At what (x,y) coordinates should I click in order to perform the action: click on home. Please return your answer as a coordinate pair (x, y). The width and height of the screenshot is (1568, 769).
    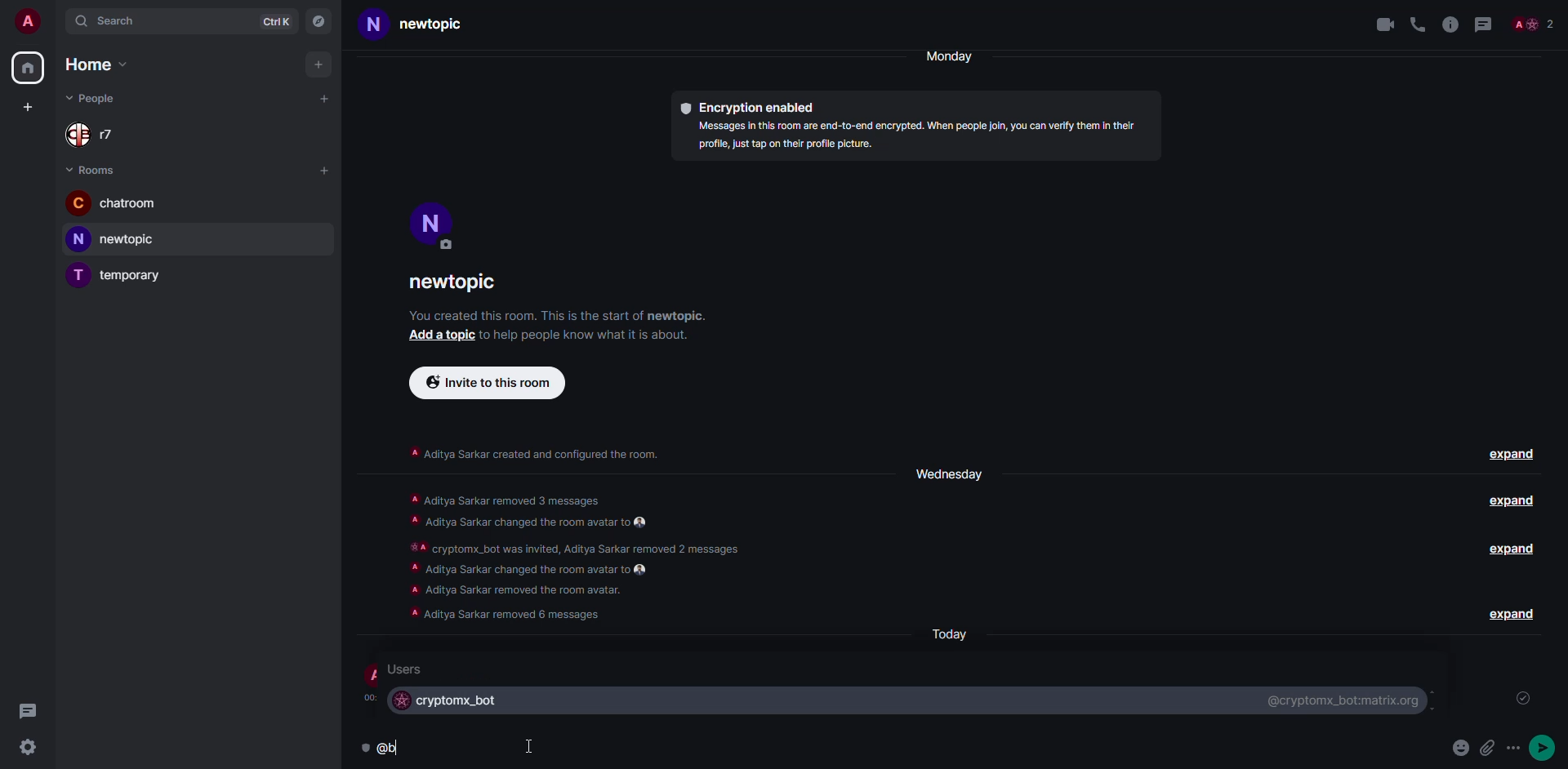
    Looking at the image, I should click on (29, 68).